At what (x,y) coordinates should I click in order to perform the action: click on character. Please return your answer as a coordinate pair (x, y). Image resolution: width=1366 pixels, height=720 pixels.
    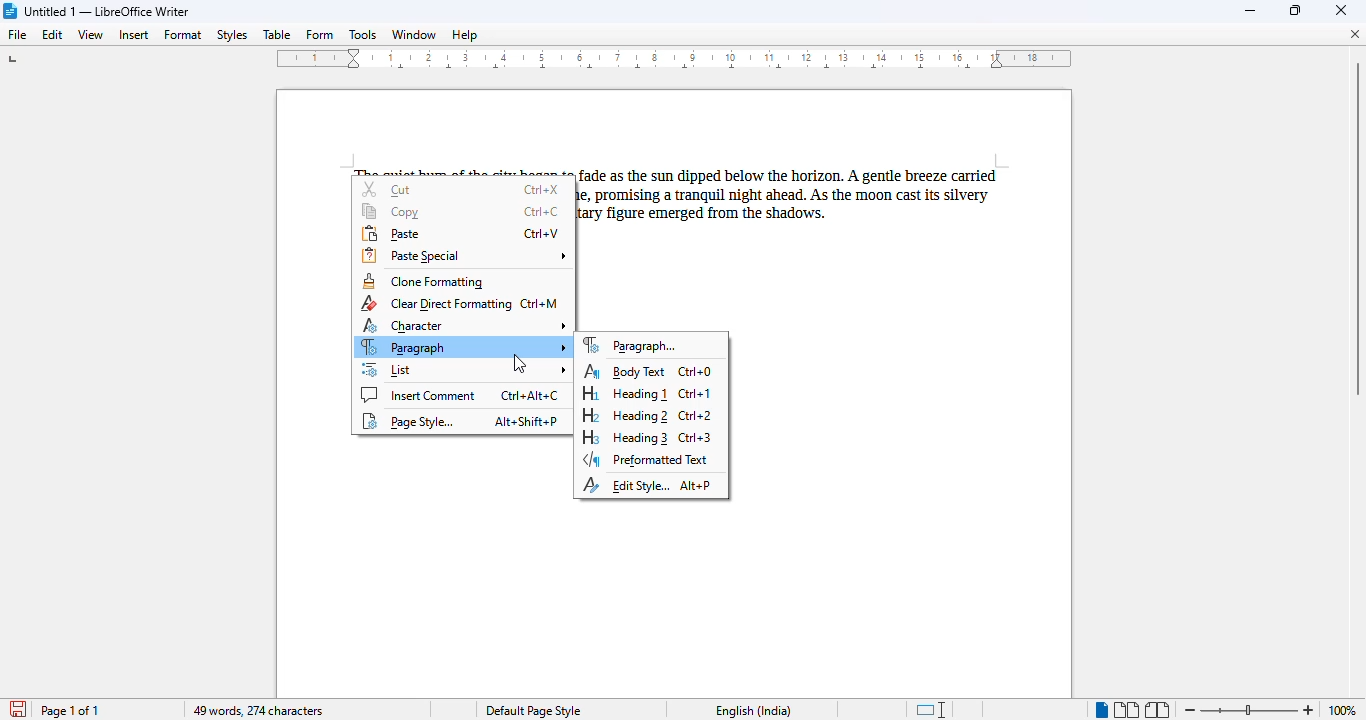
    Looking at the image, I should click on (464, 325).